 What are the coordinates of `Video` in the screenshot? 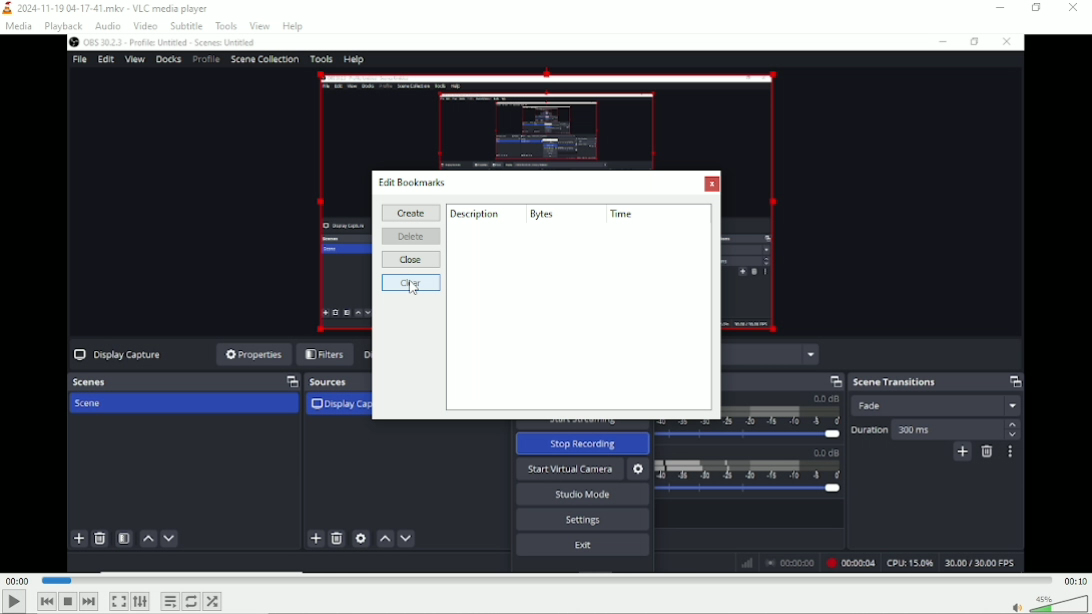 It's located at (146, 25).